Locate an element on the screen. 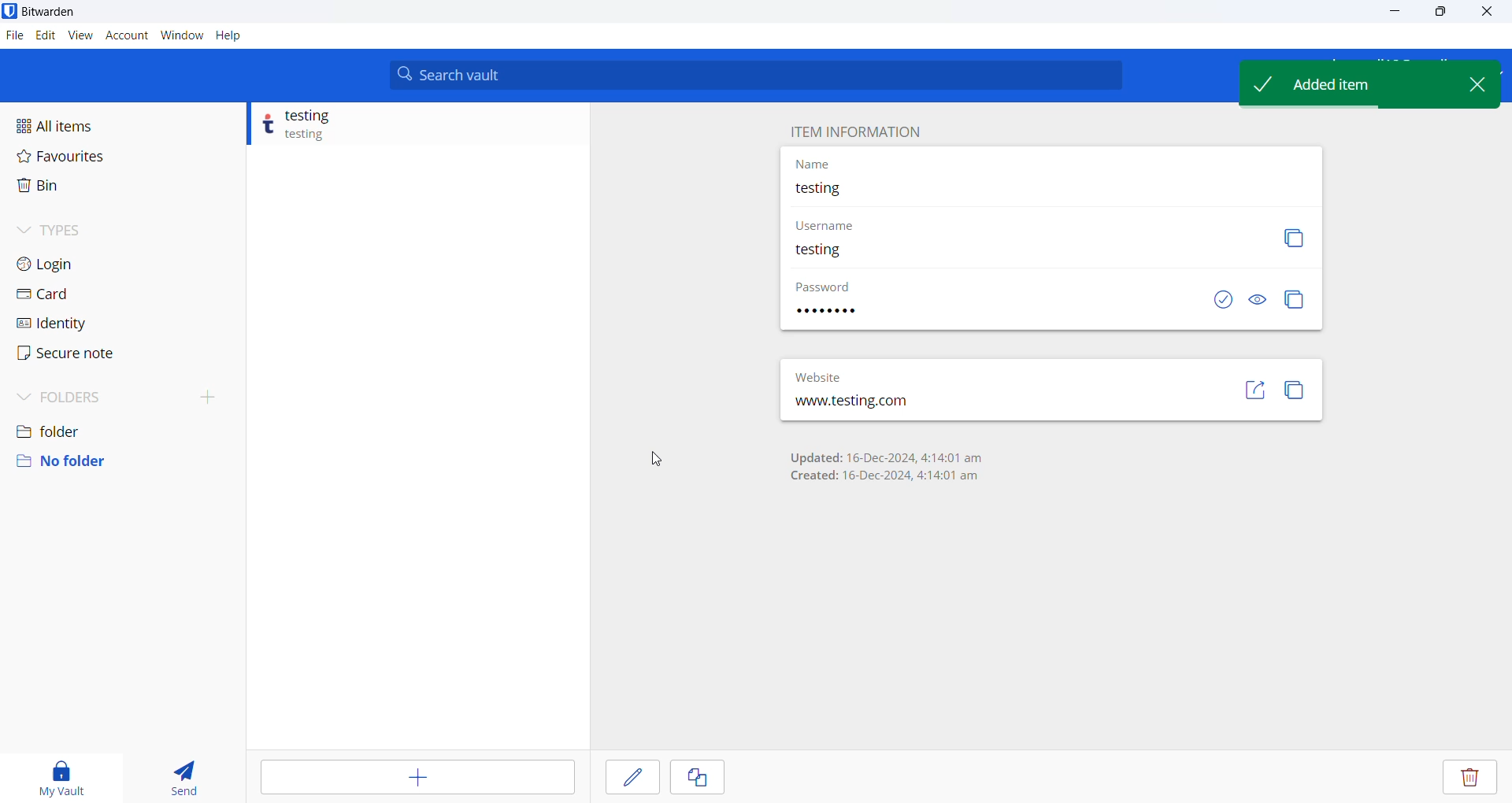 The width and height of the screenshot is (1512, 803). folder is located at coordinates (119, 427).